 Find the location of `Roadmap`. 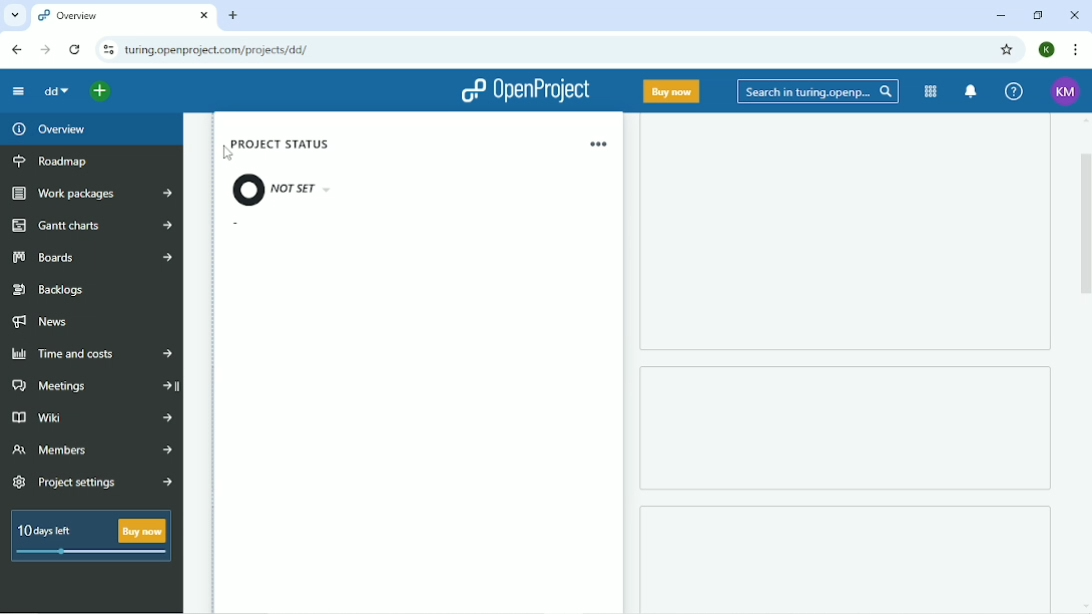

Roadmap is located at coordinates (53, 161).